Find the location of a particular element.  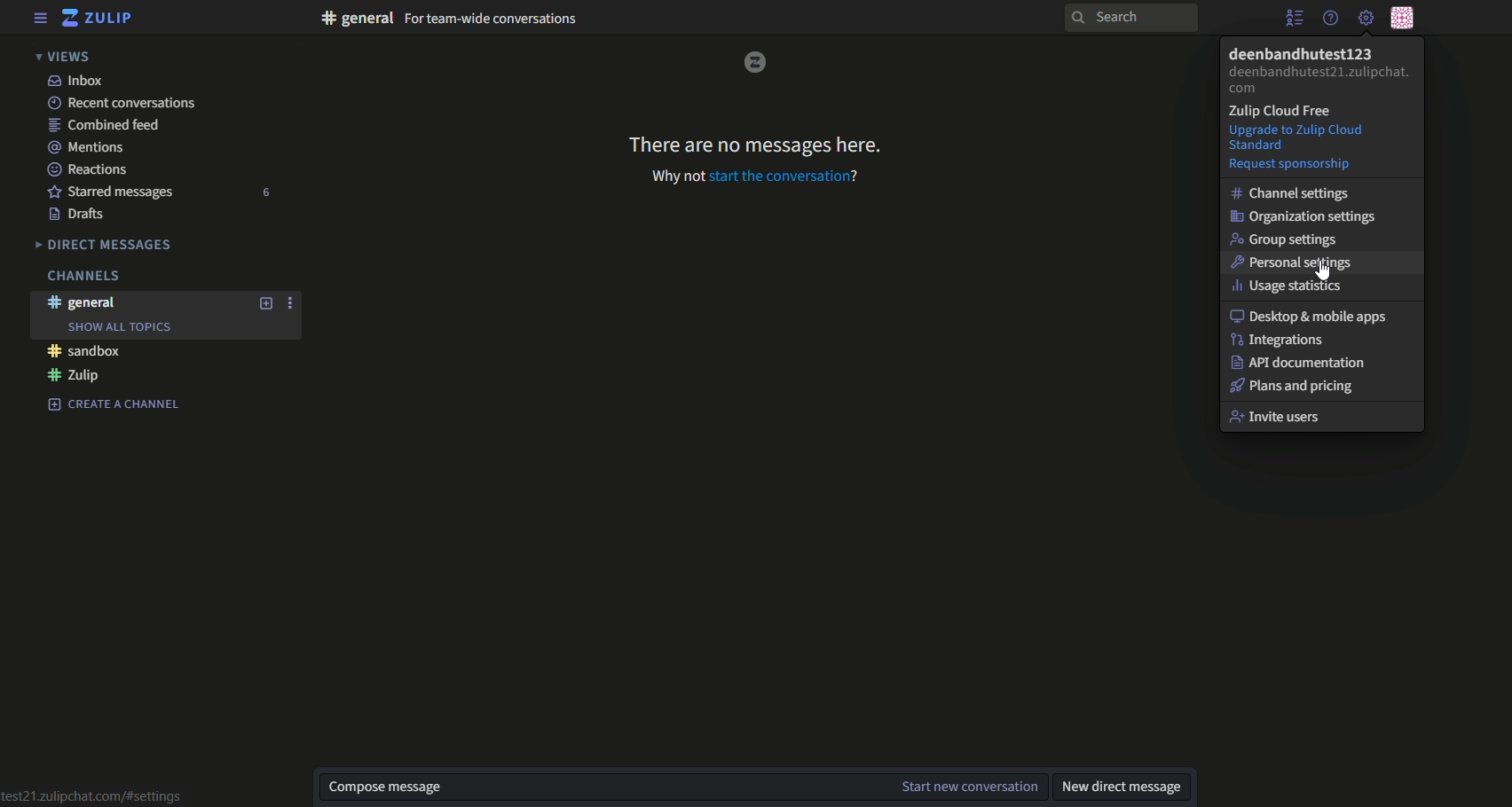

personal menu is located at coordinates (1404, 17).